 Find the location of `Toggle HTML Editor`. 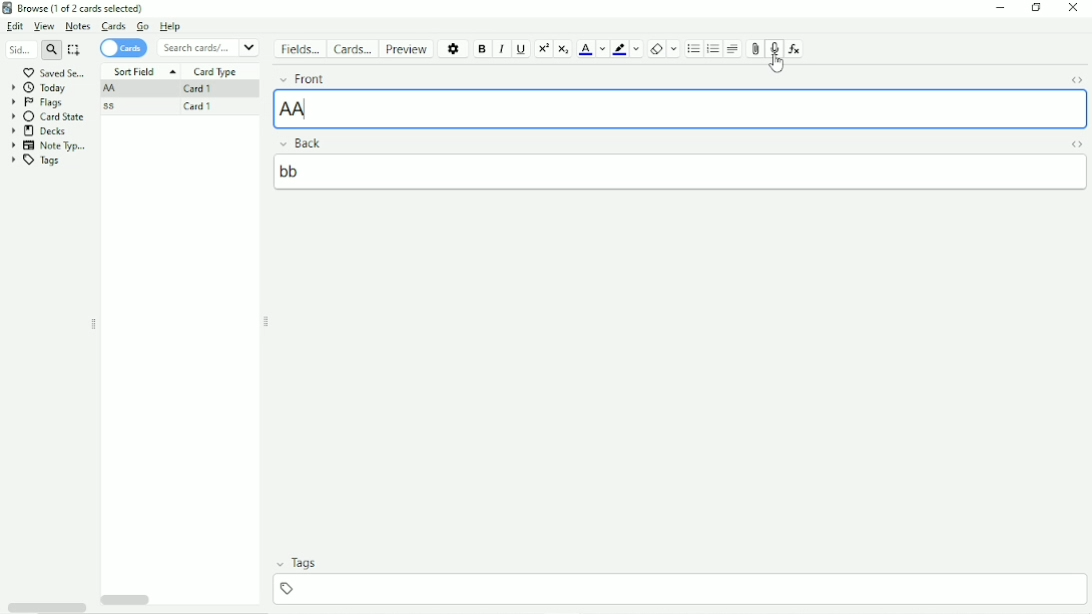

Toggle HTML Editor is located at coordinates (1076, 145).